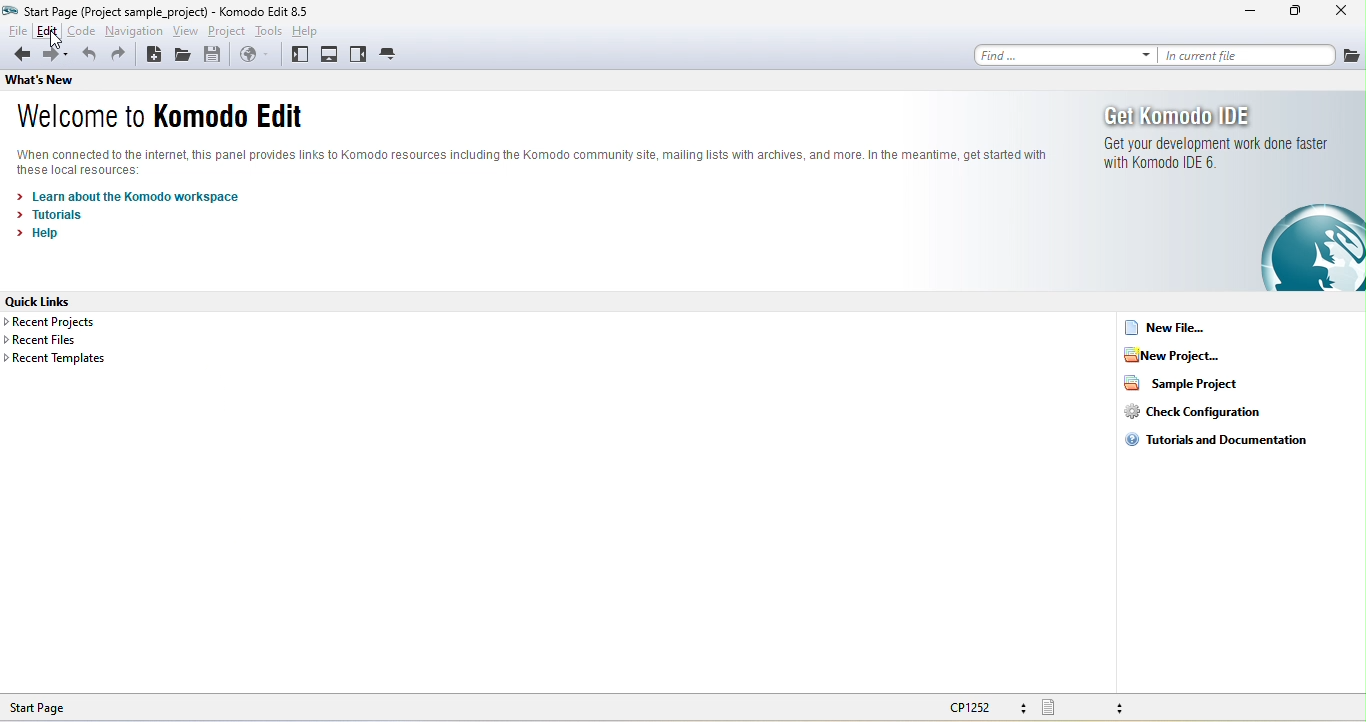 This screenshot has height=722, width=1366. What do you see at coordinates (52, 83) in the screenshot?
I see `what's new` at bounding box center [52, 83].